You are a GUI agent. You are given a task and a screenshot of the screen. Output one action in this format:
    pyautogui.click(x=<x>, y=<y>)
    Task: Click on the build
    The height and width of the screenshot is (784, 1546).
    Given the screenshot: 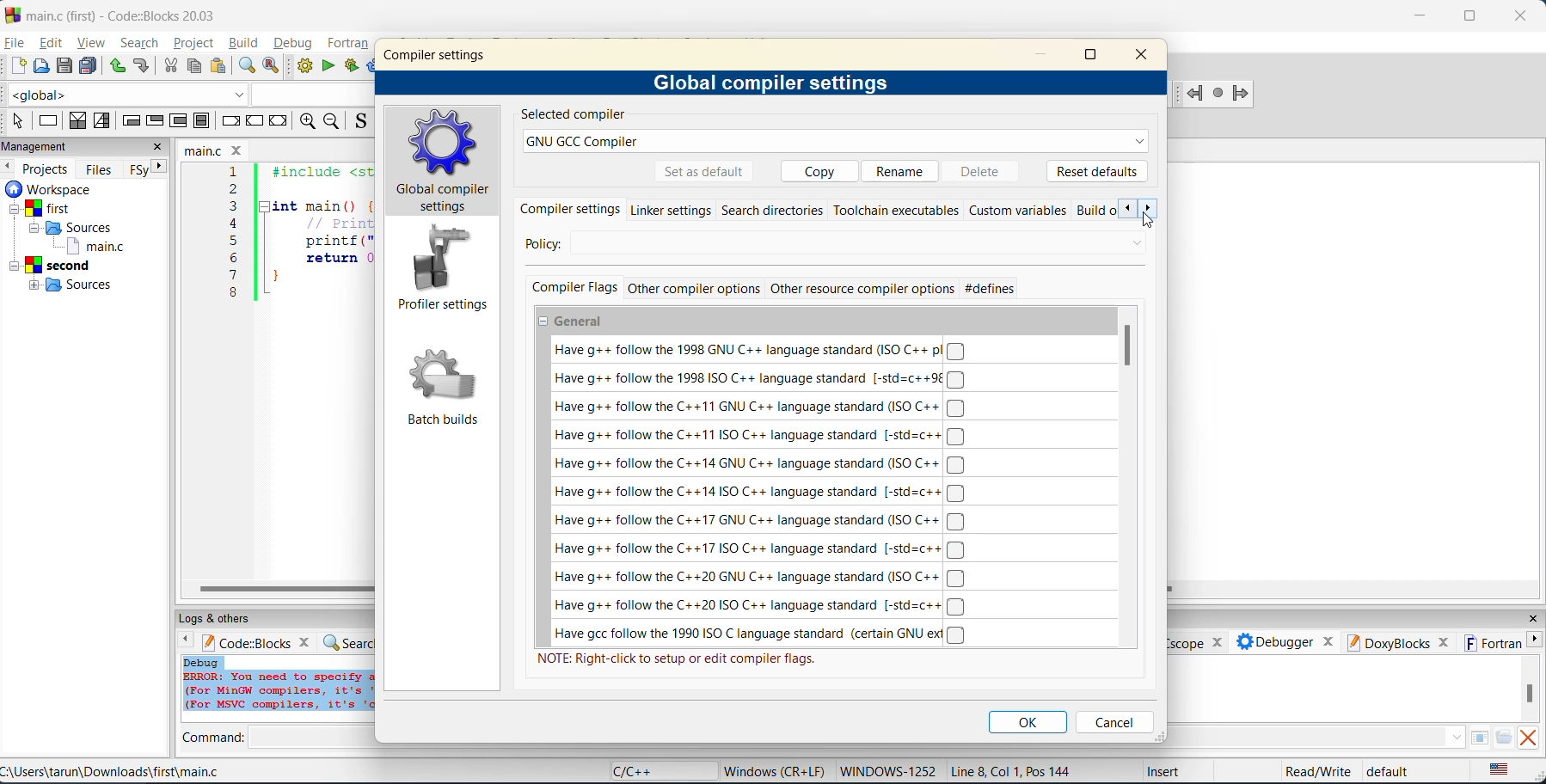 What is the action you would take?
    pyautogui.click(x=246, y=45)
    